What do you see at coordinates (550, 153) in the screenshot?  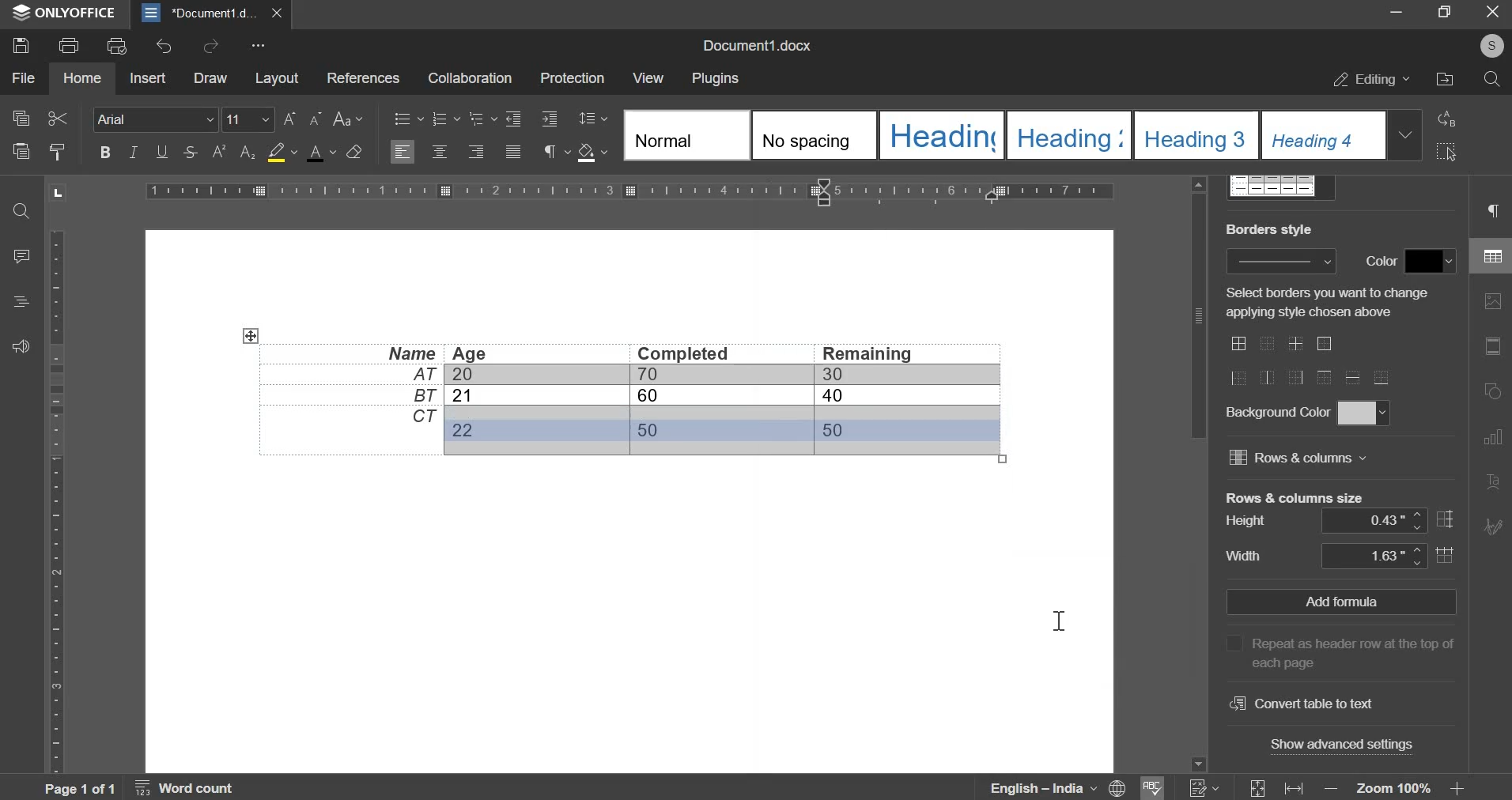 I see `paragraph` at bounding box center [550, 153].